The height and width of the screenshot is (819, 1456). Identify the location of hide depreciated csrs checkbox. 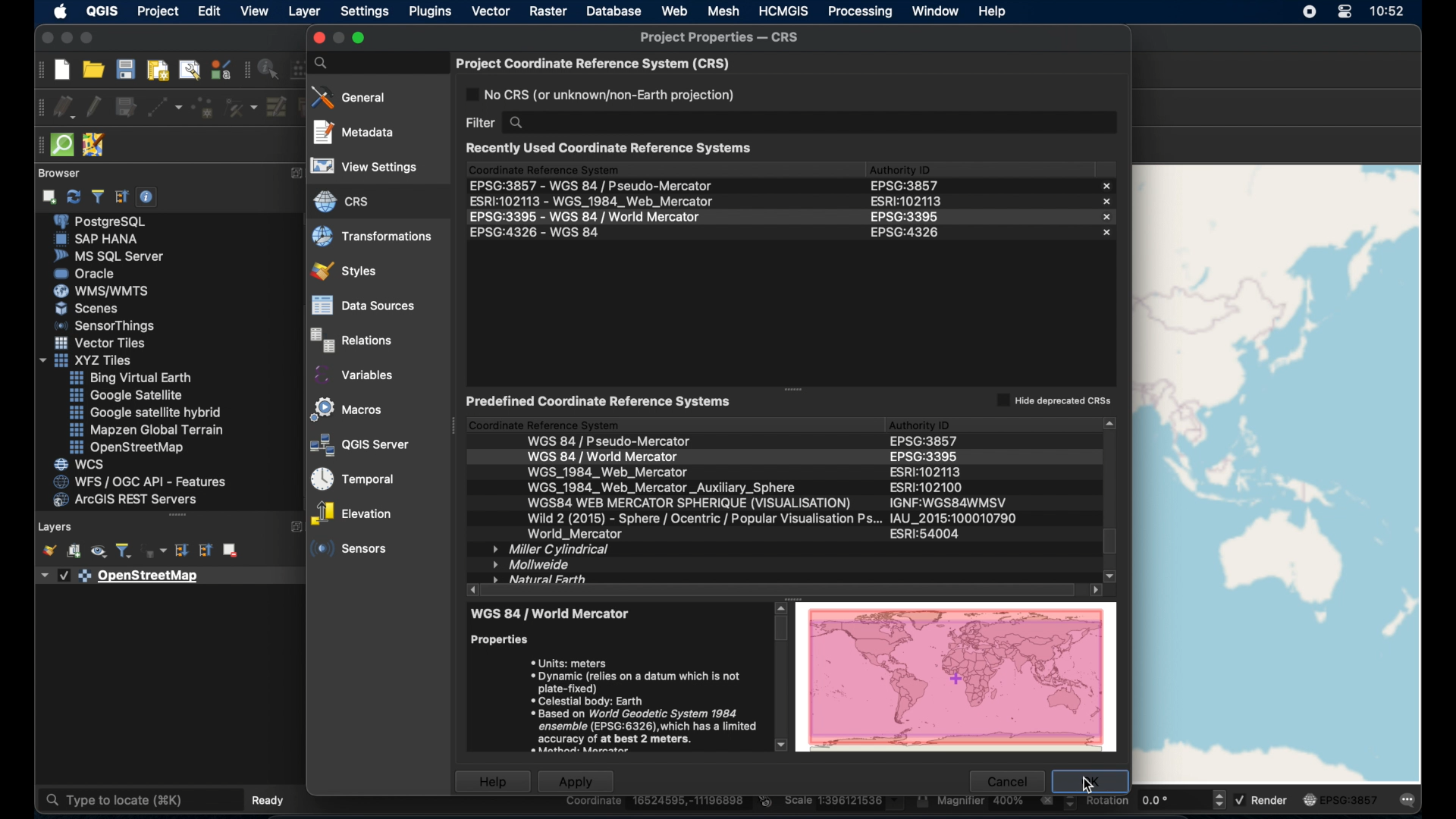
(1050, 399).